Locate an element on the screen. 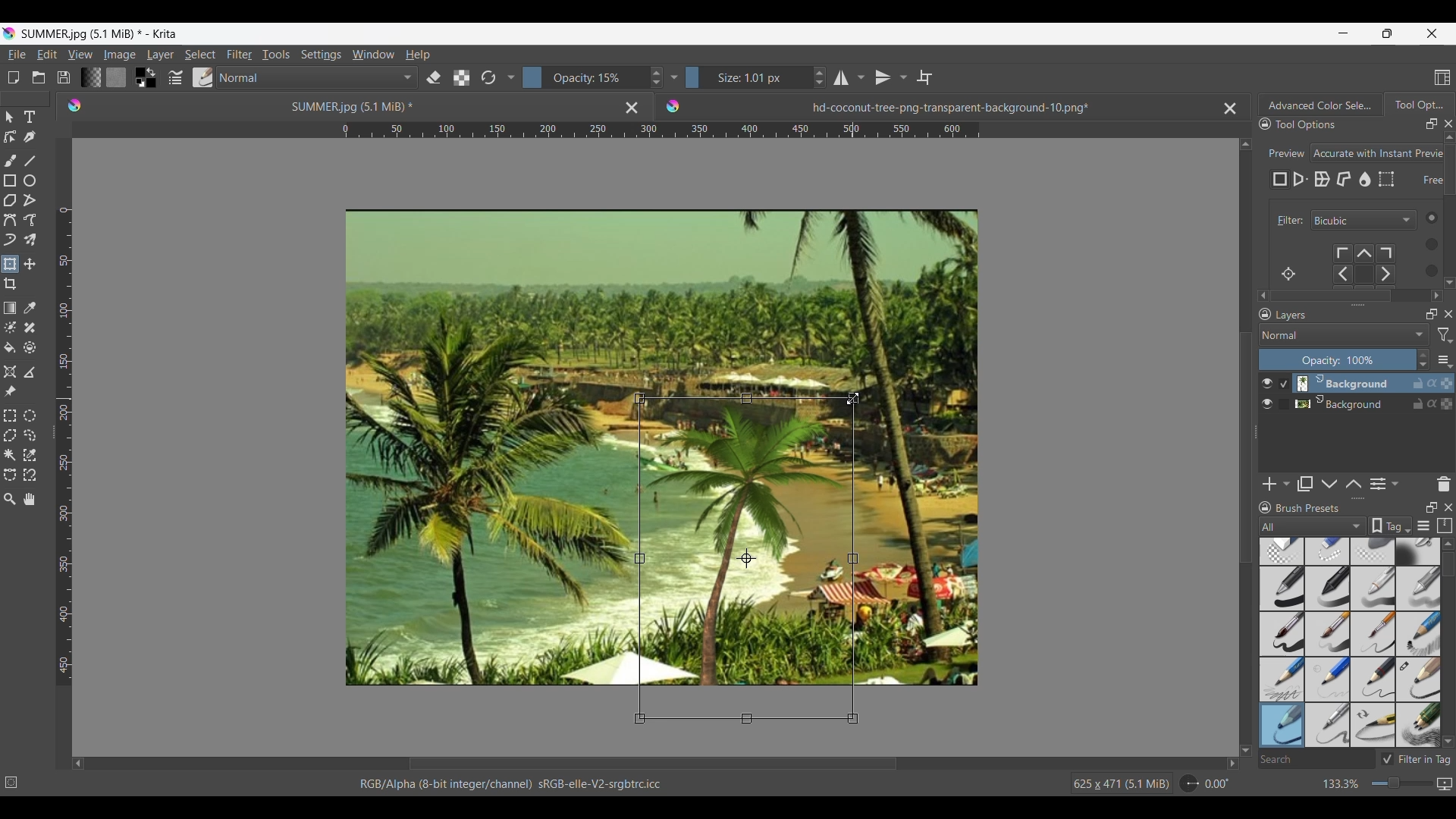  Preserve alpha is located at coordinates (461, 78).